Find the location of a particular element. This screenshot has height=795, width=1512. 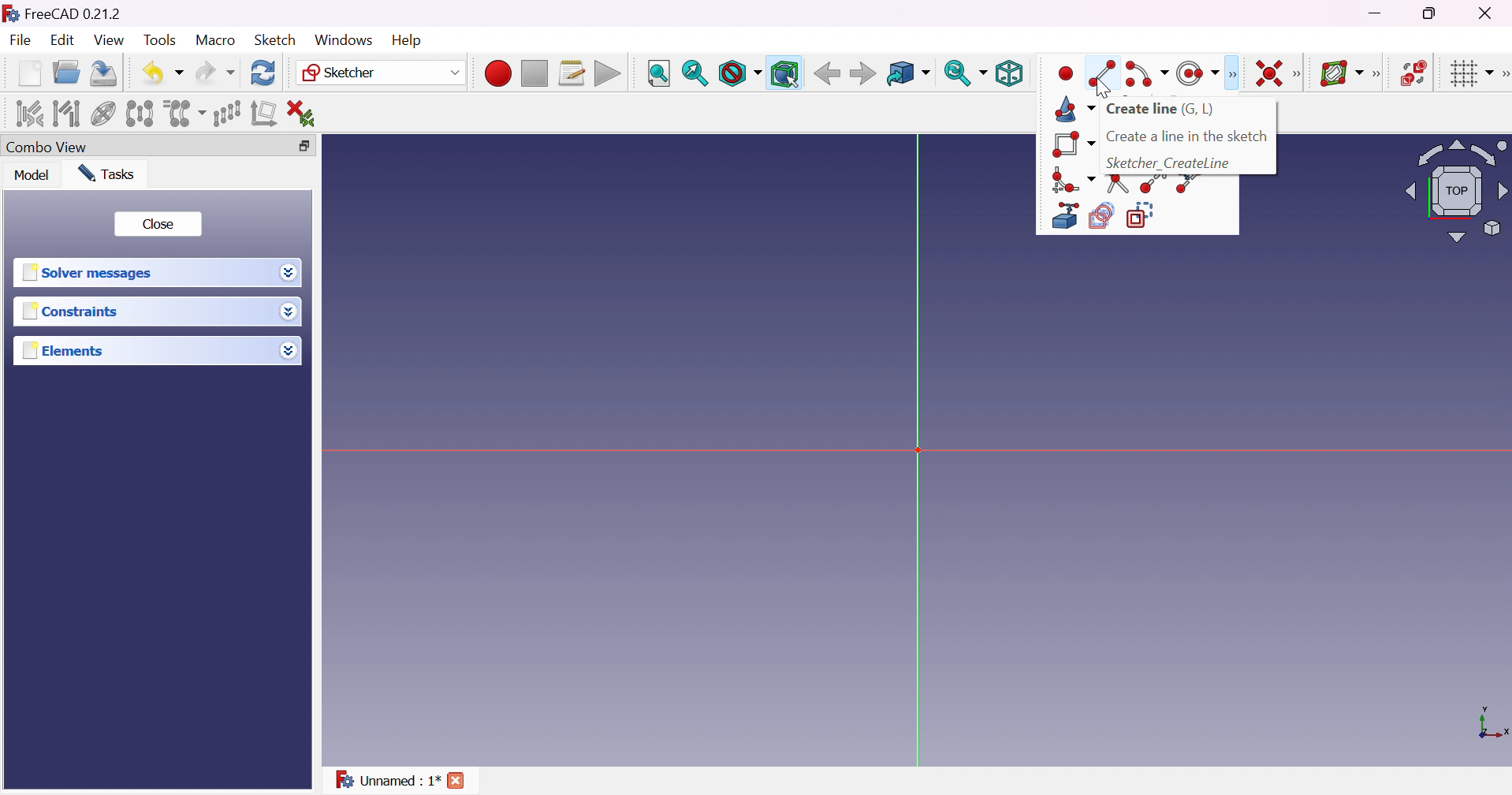

Create carbon copy is located at coordinates (1101, 216).